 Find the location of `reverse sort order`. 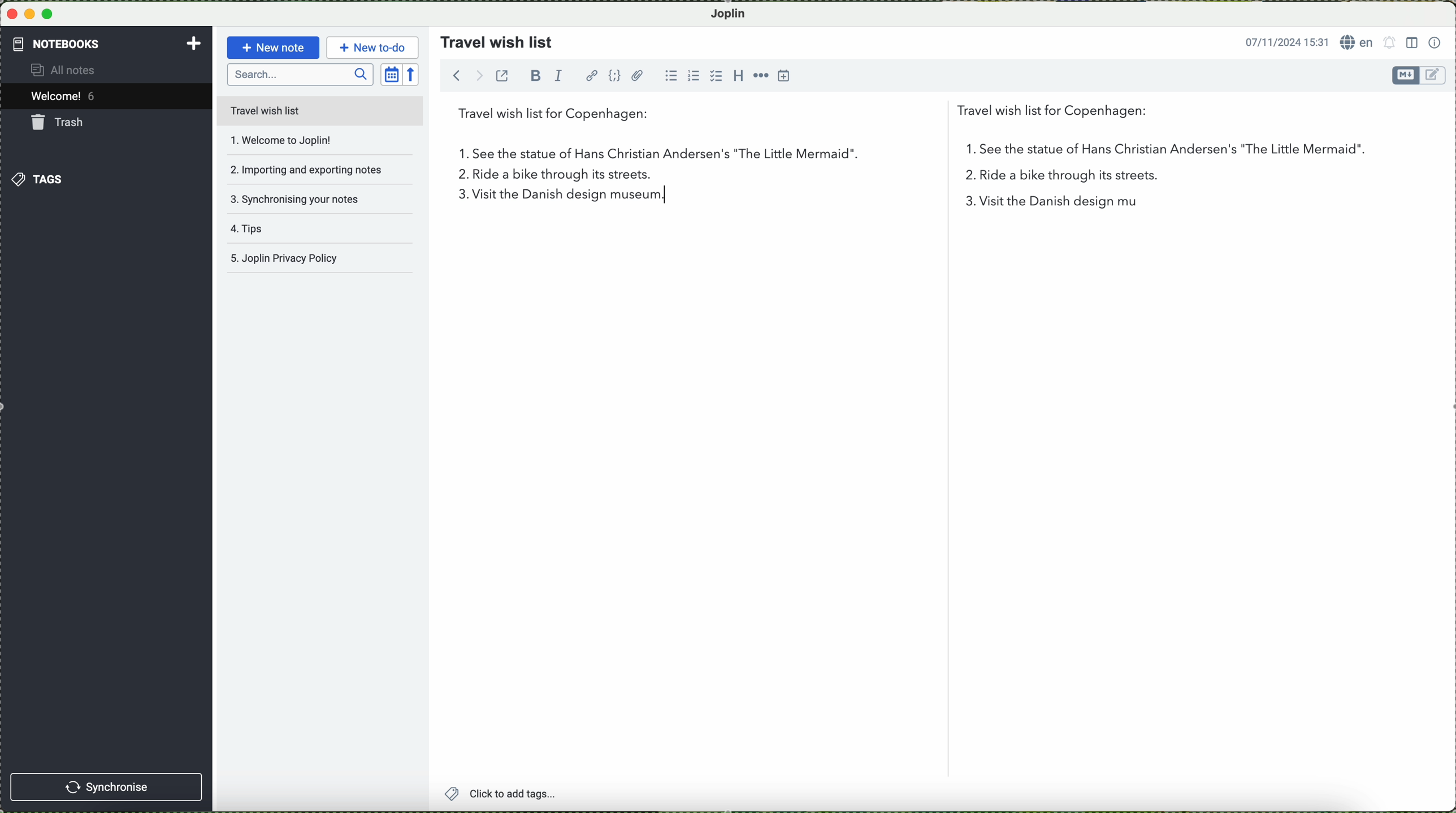

reverse sort order is located at coordinates (414, 73).